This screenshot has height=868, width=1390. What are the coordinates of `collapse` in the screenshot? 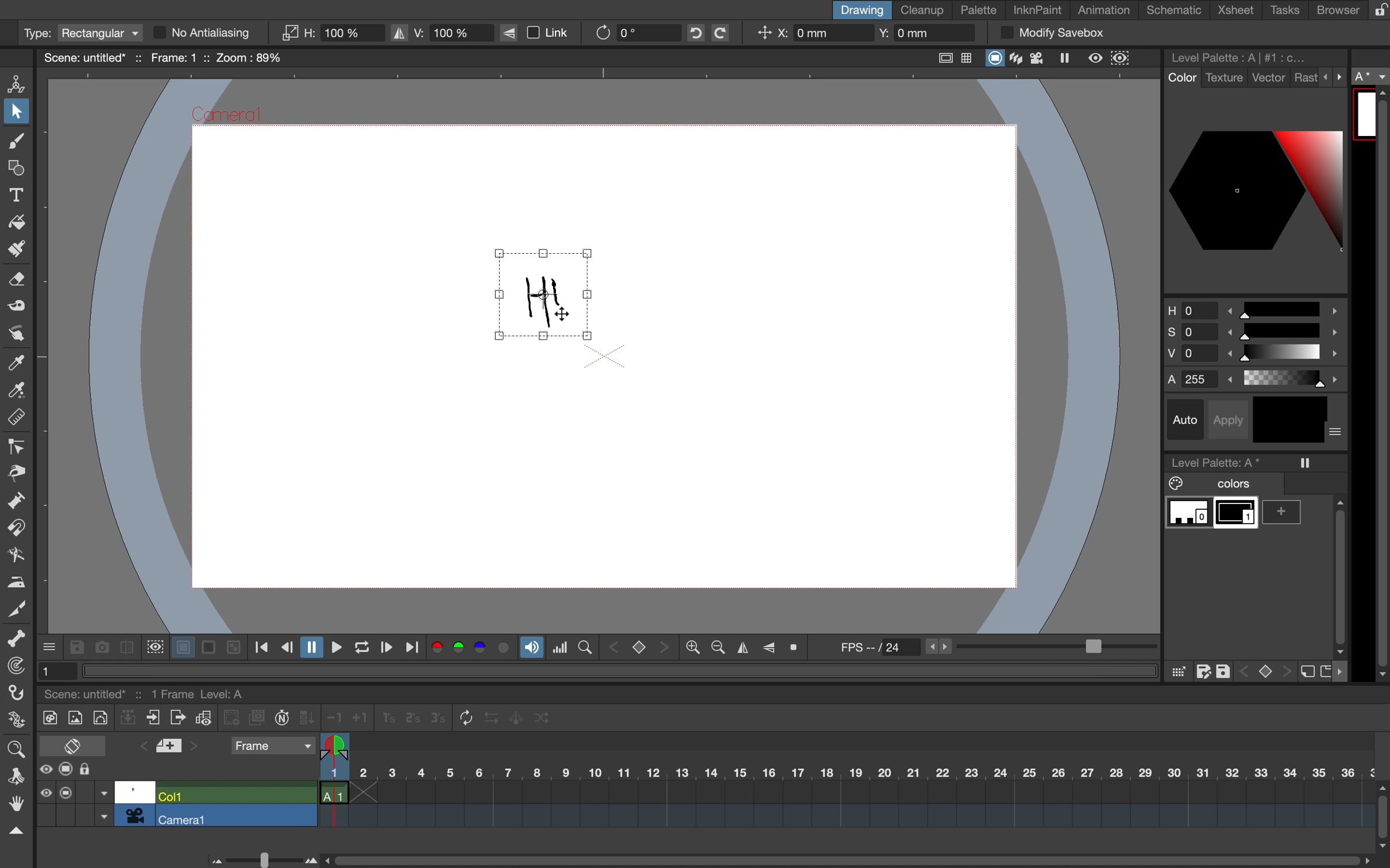 It's located at (128, 719).